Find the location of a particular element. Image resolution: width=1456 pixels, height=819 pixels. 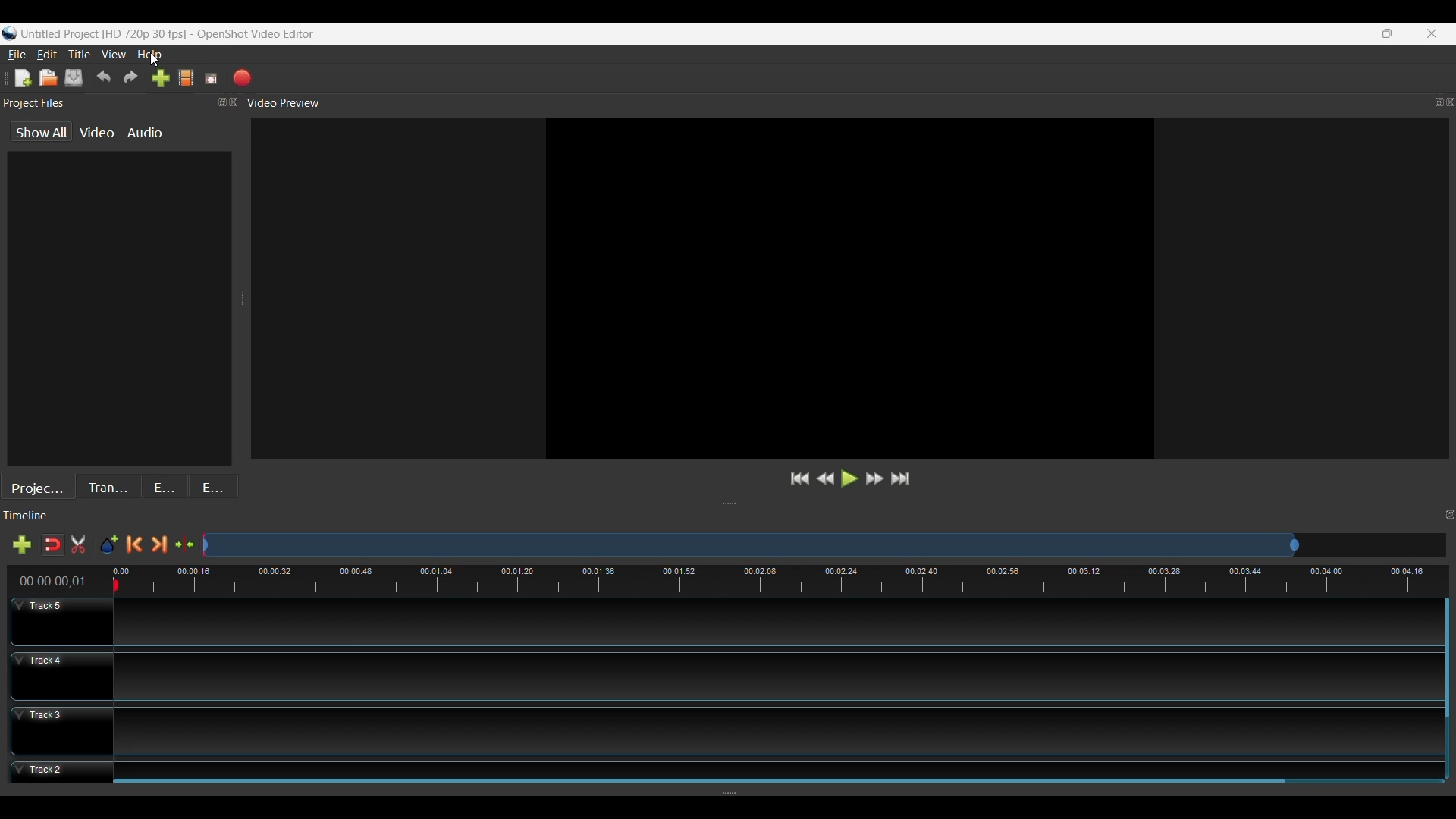

Track Panel is located at coordinates (770, 678).